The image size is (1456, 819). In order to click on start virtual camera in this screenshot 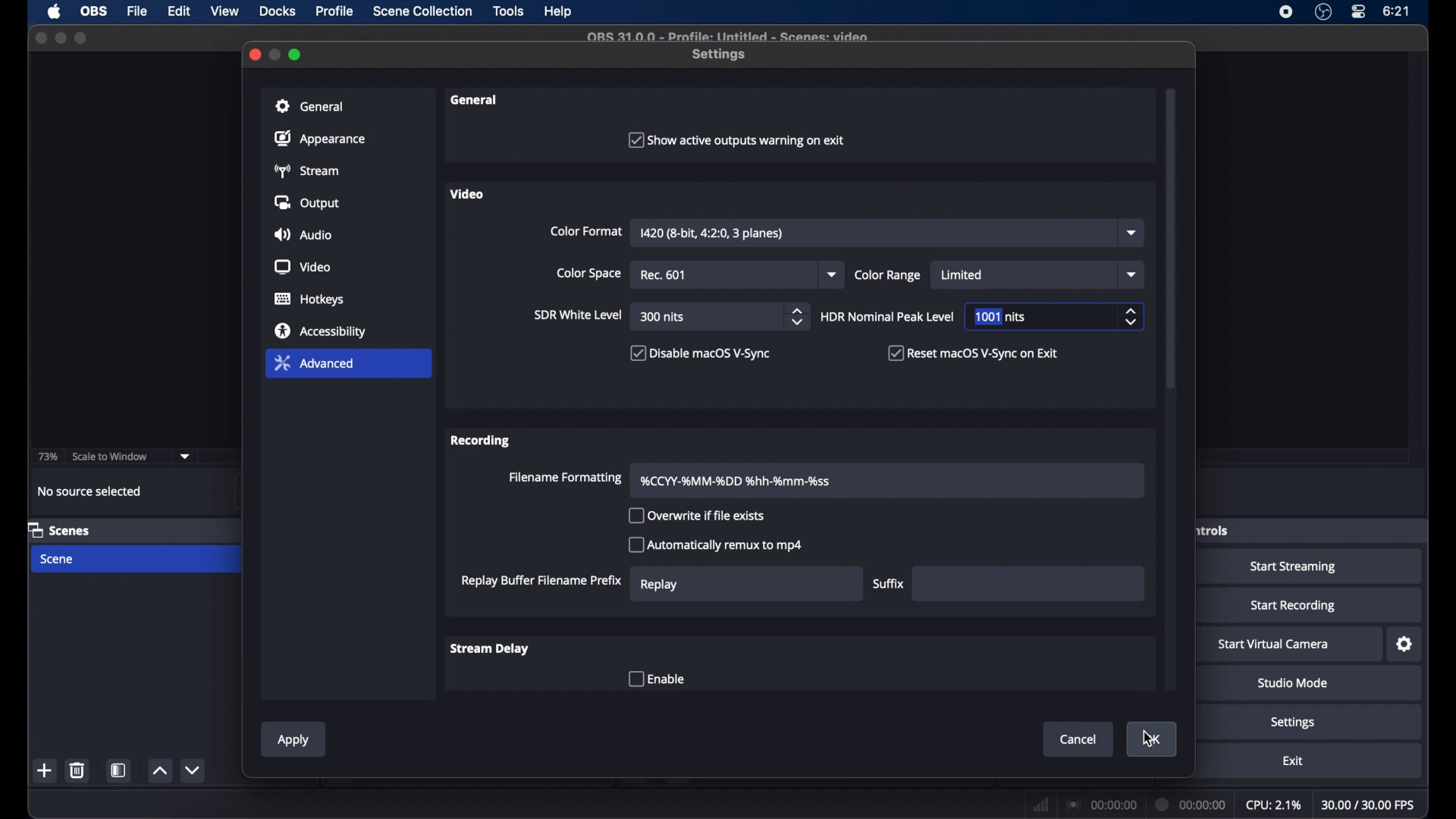, I will do `click(1273, 645)`.